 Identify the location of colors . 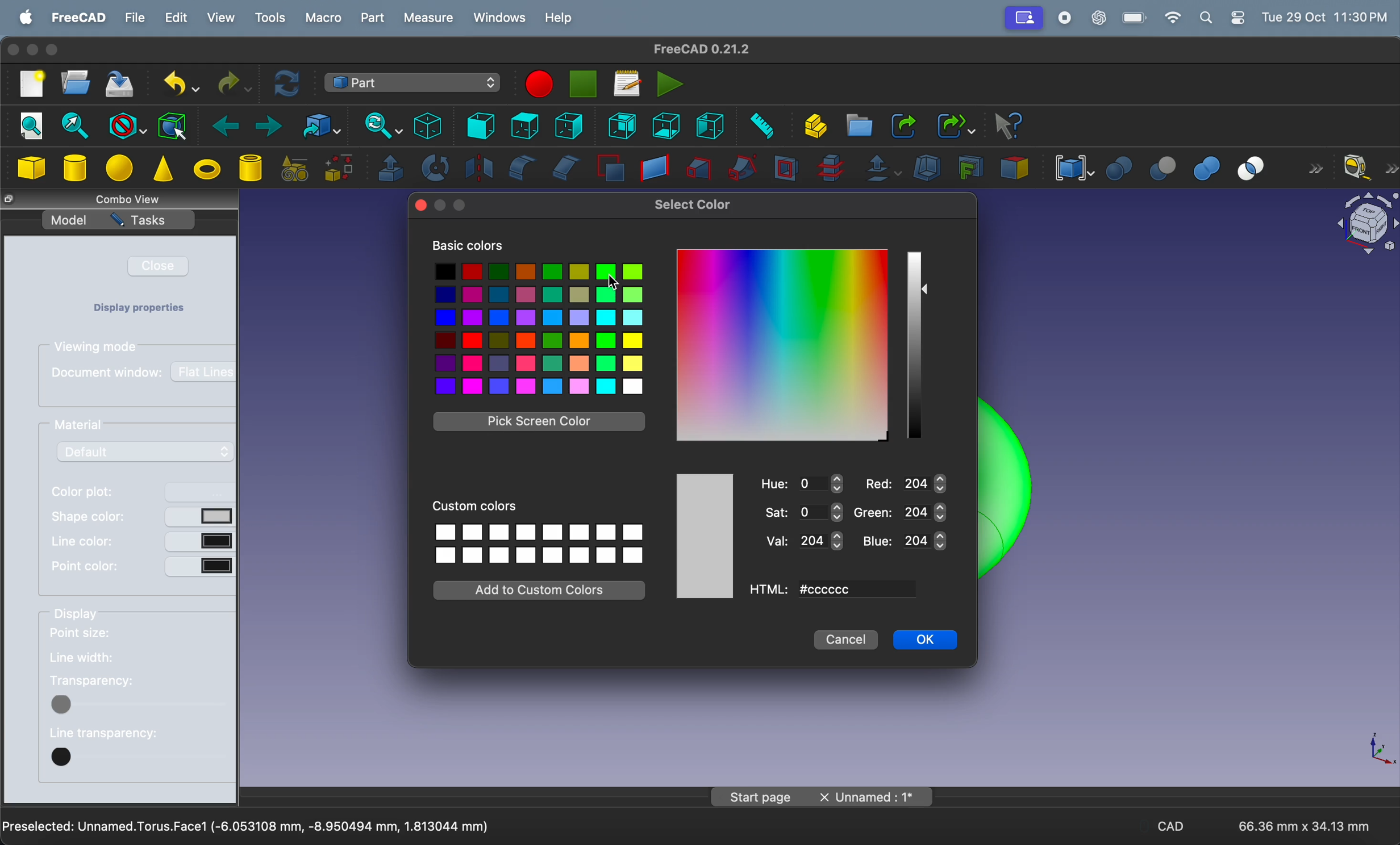
(705, 534).